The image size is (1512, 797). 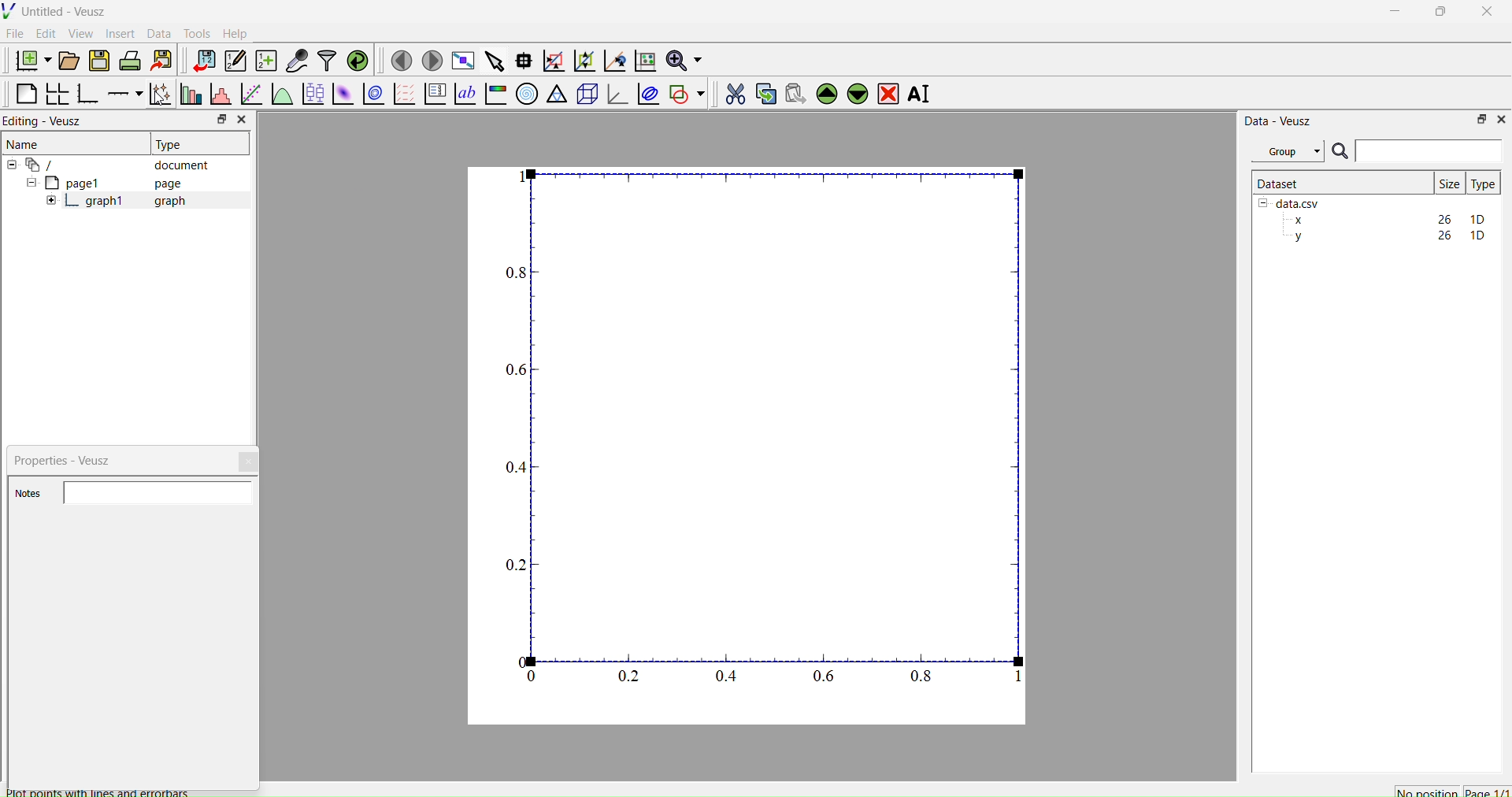 I want to click on Notes, so click(x=31, y=494).